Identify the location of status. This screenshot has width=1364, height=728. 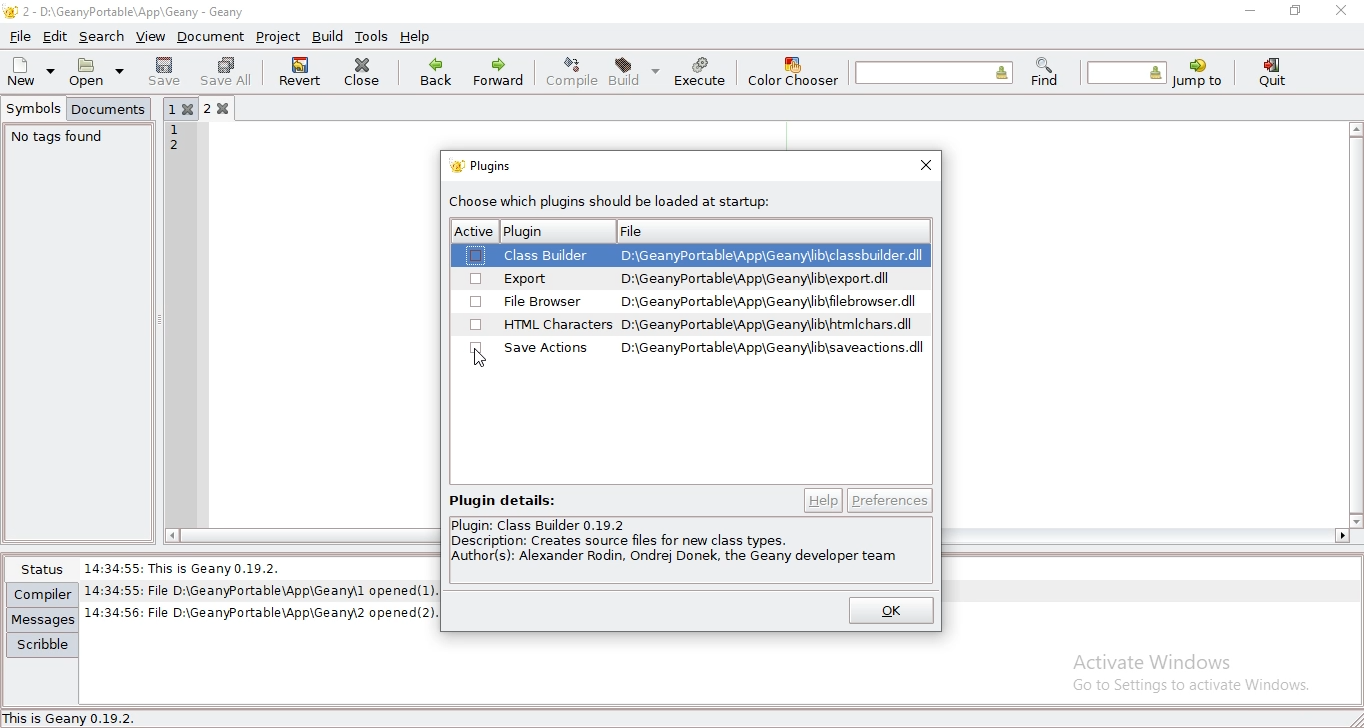
(39, 569).